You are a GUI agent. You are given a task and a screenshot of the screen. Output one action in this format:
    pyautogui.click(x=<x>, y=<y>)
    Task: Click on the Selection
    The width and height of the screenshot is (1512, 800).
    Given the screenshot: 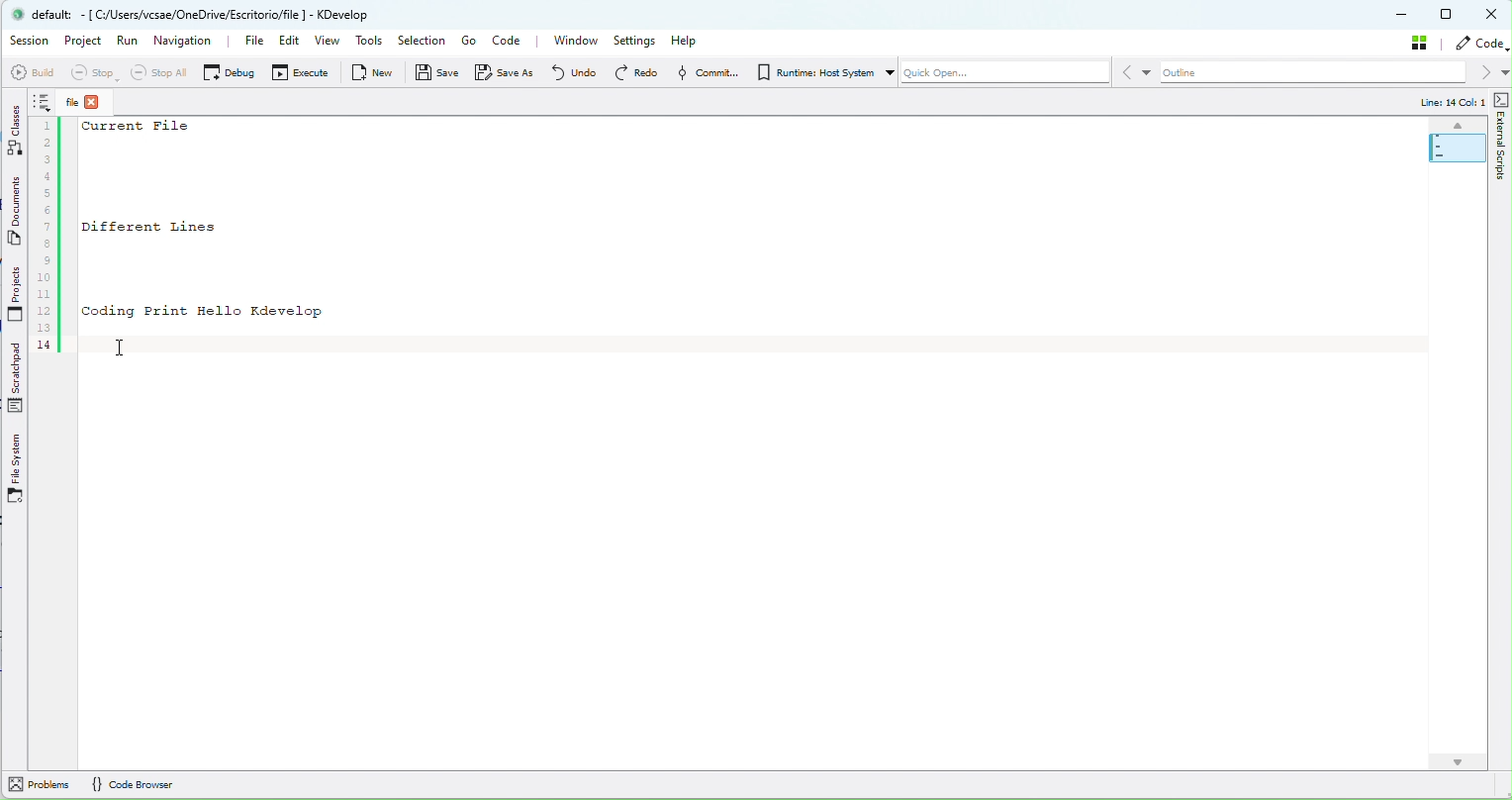 What is the action you would take?
    pyautogui.click(x=421, y=42)
    